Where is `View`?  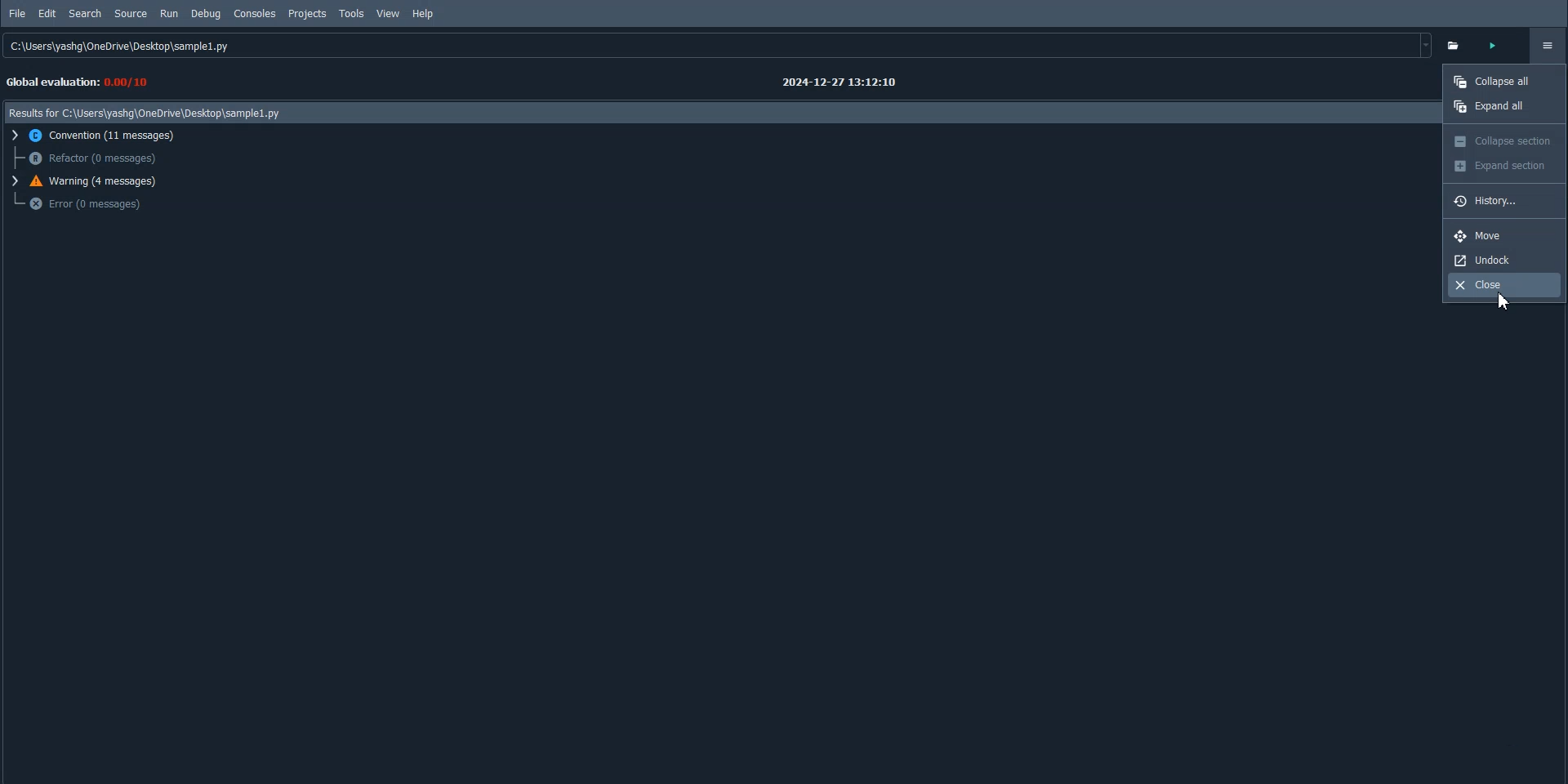
View is located at coordinates (388, 13).